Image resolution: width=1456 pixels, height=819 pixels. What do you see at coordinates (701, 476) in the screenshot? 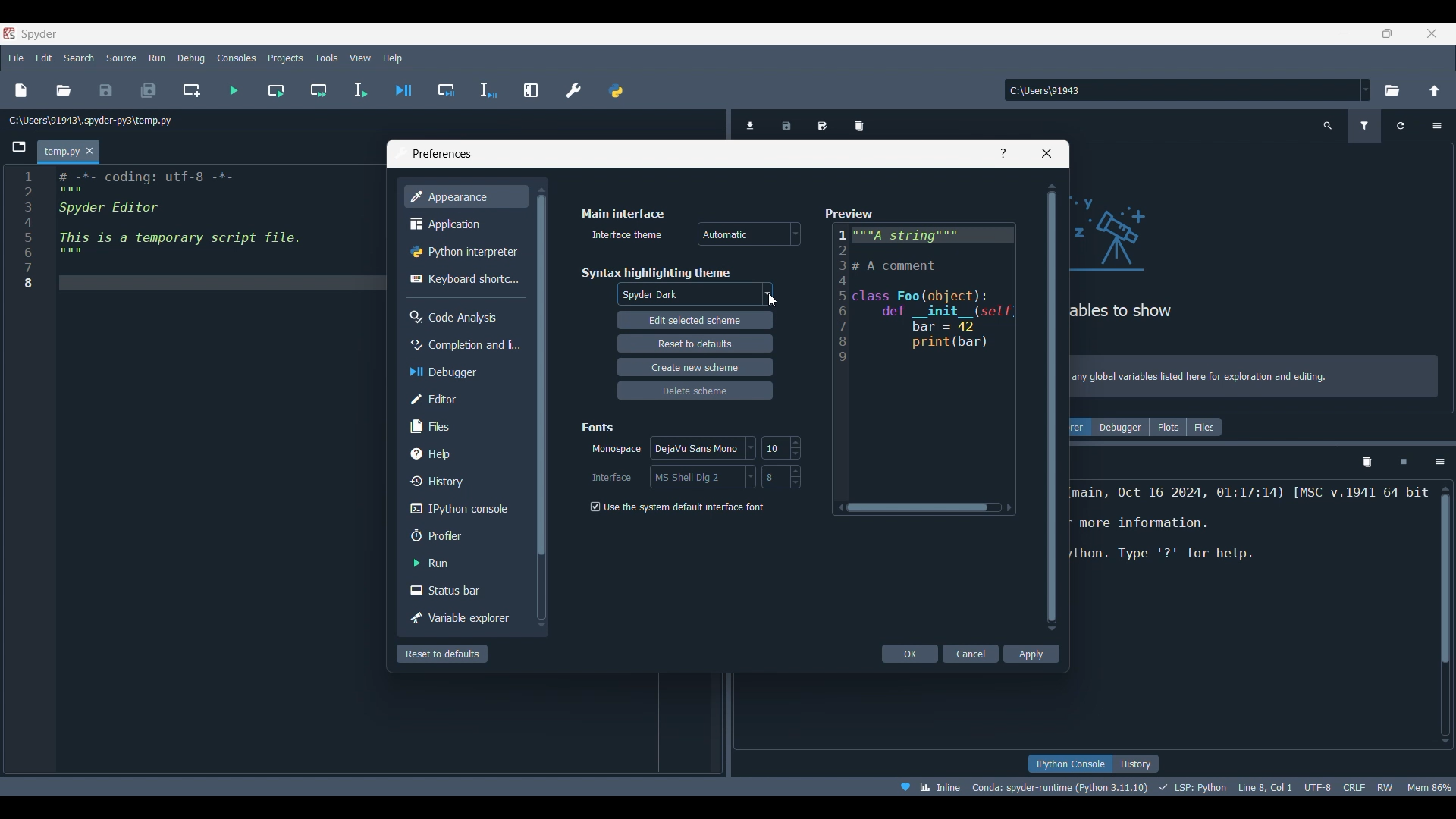
I see `interface font options` at bounding box center [701, 476].